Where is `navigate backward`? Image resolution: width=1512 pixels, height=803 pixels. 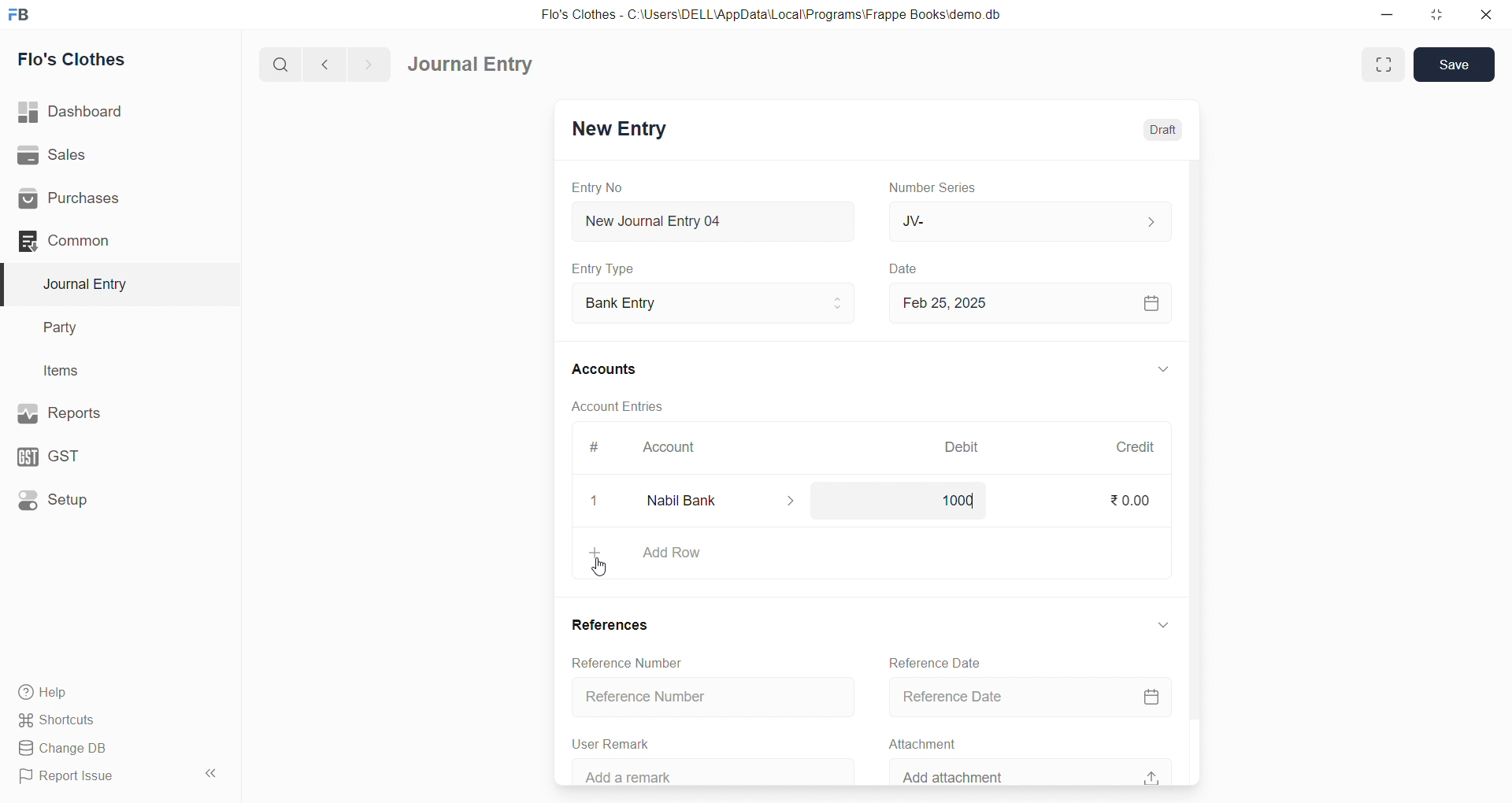
navigate backward is located at coordinates (332, 62).